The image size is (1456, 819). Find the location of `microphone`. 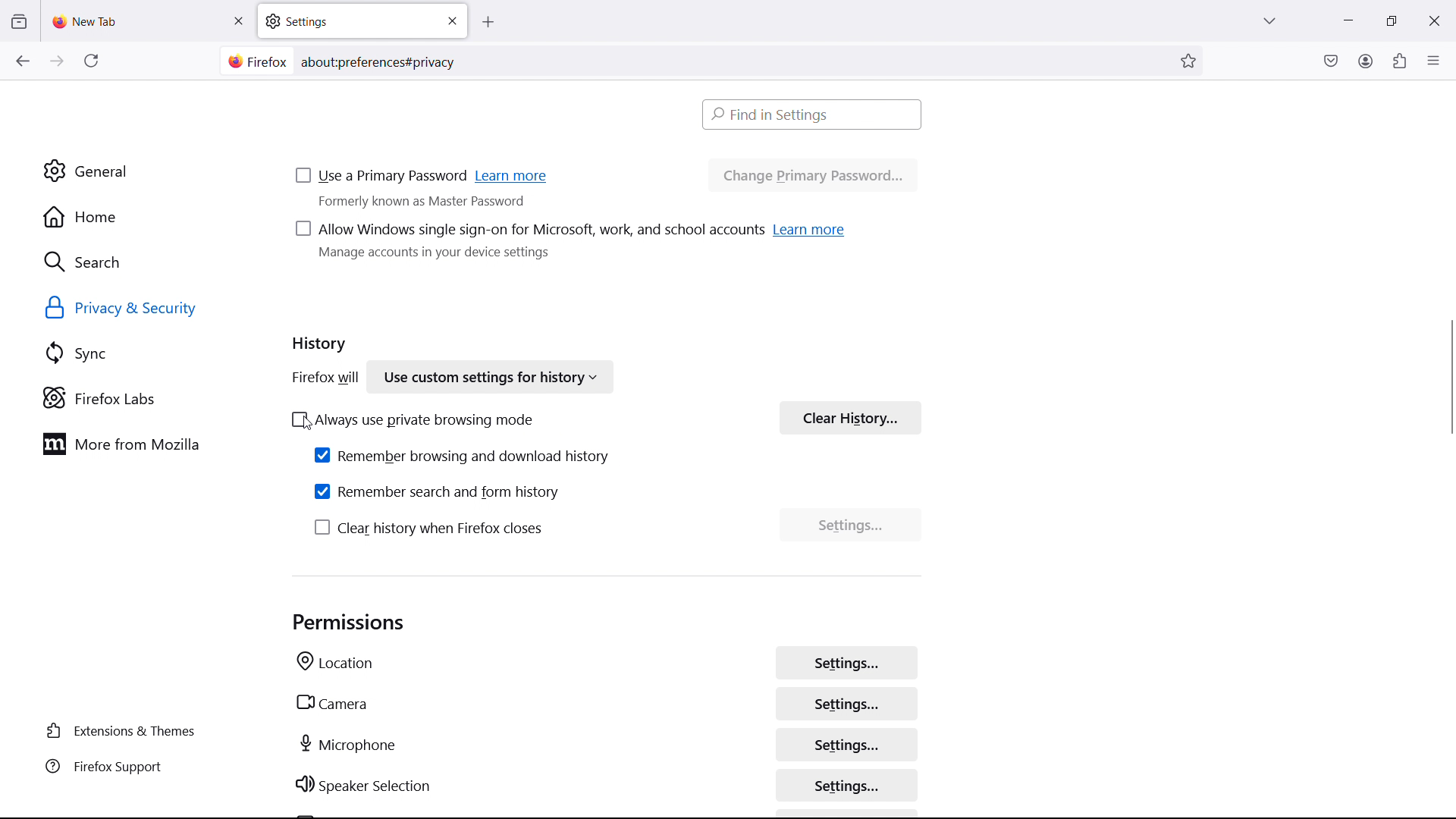

microphone is located at coordinates (350, 744).